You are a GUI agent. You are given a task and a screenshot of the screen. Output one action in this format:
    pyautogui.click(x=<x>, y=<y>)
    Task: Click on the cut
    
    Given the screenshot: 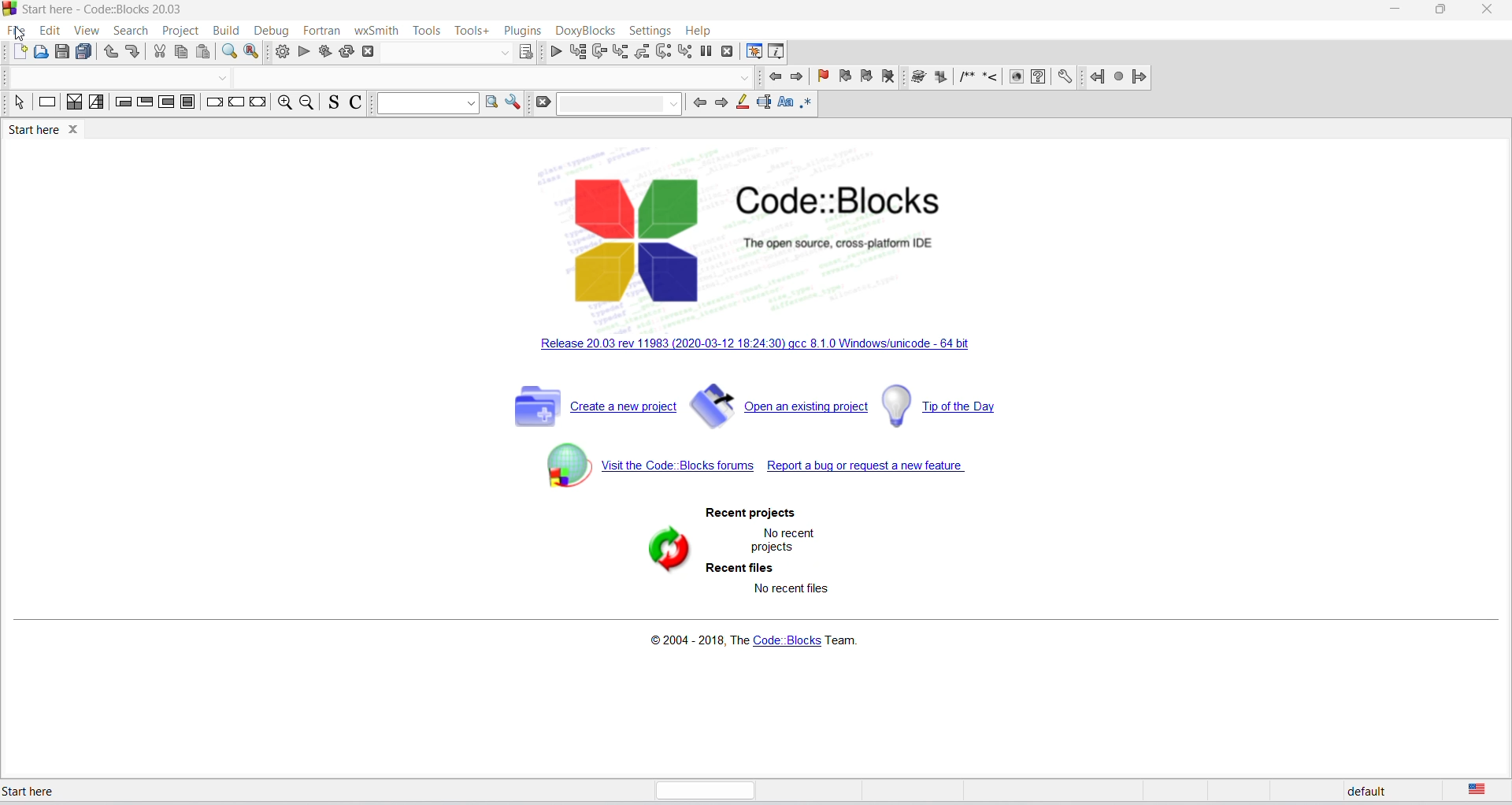 What is the action you would take?
    pyautogui.click(x=160, y=54)
    